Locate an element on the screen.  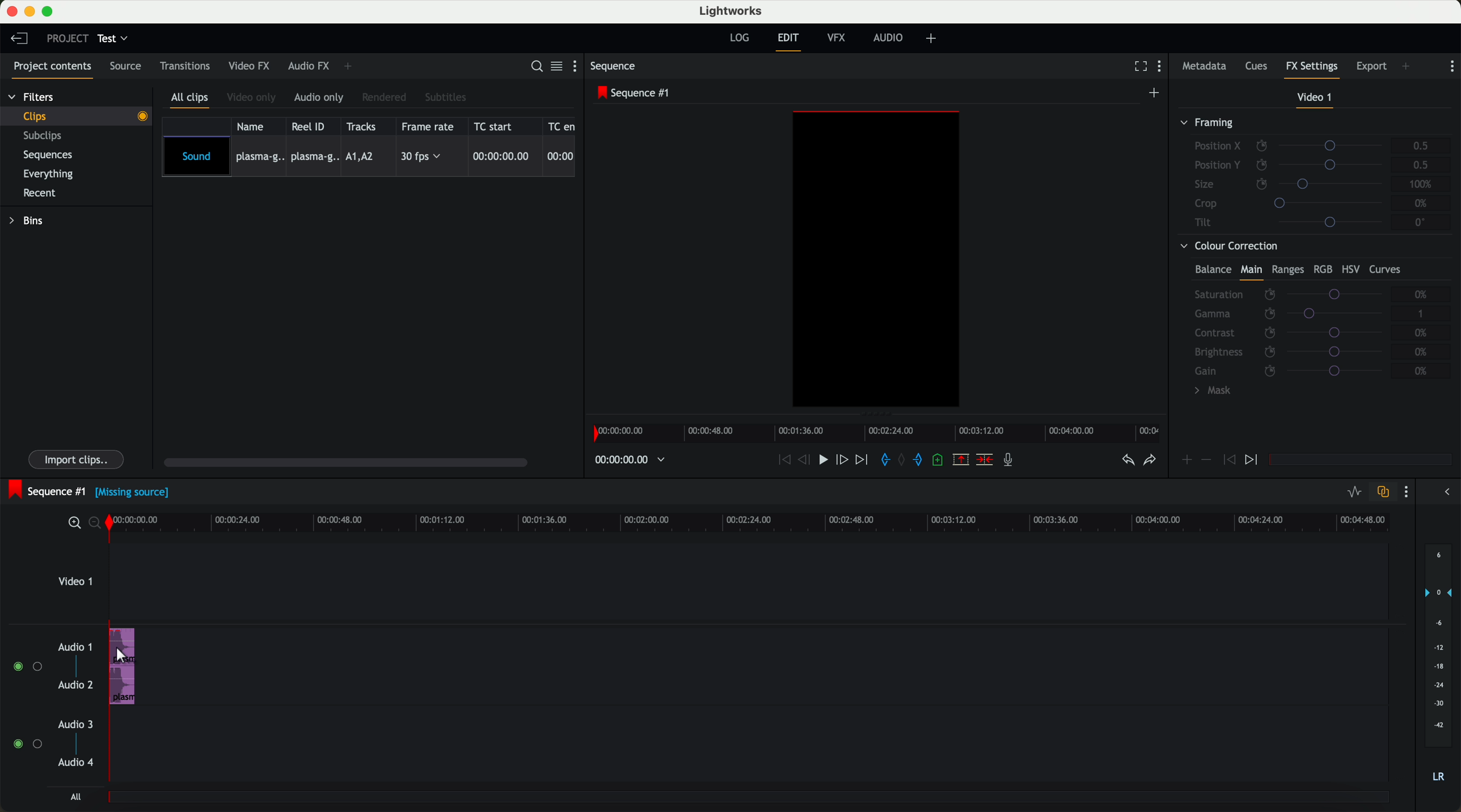
timeline is located at coordinates (758, 523).